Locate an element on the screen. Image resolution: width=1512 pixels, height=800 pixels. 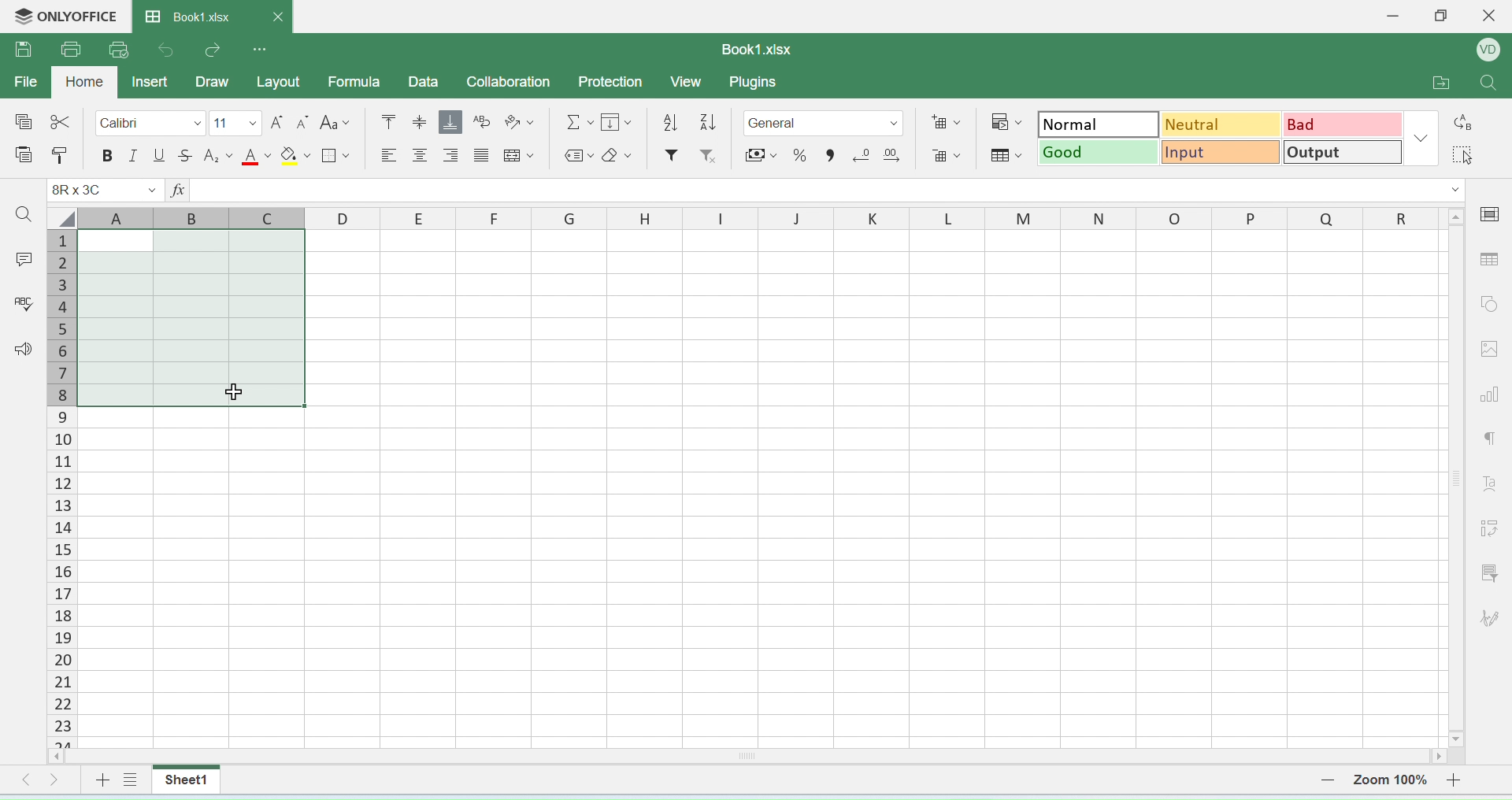
minimise is located at coordinates (1397, 20).